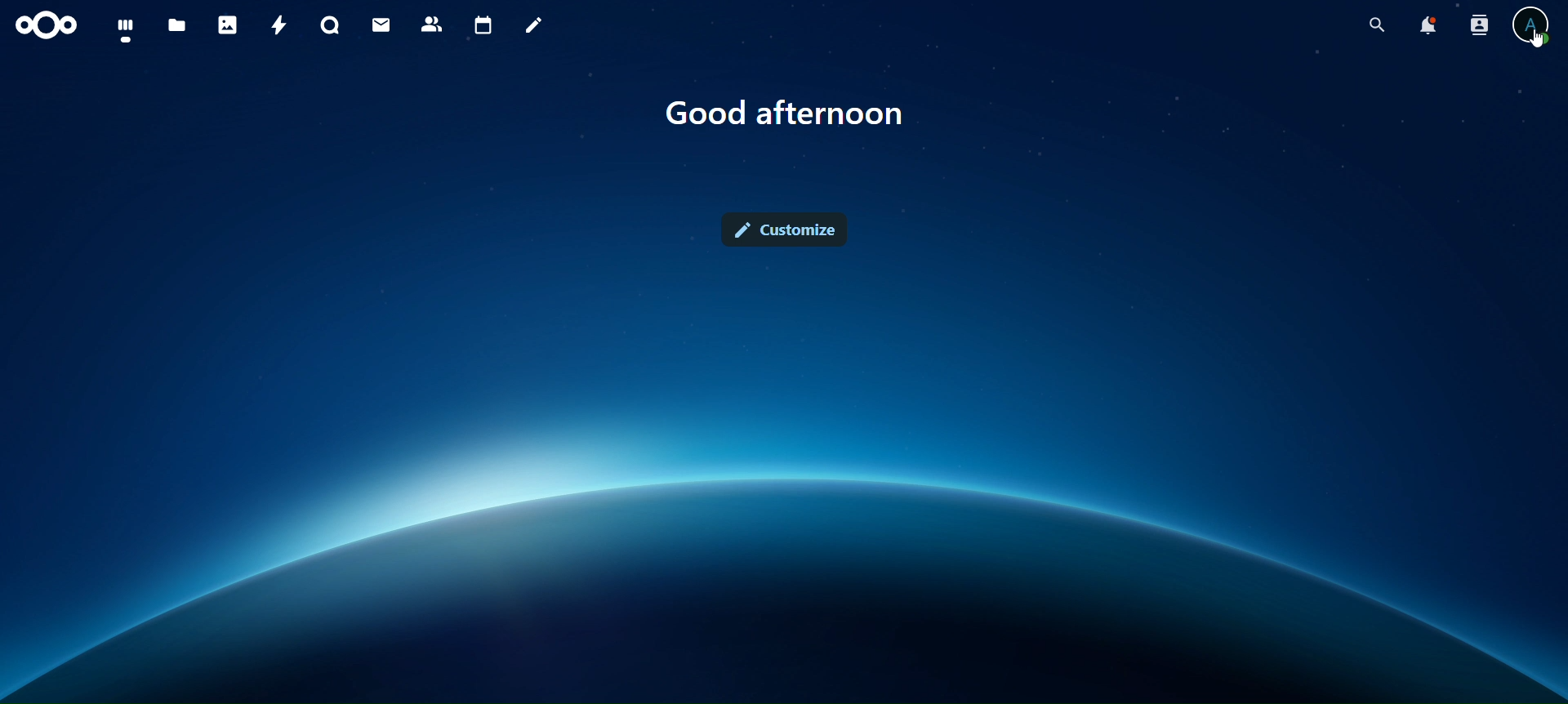 The width and height of the screenshot is (1568, 704). What do you see at coordinates (483, 25) in the screenshot?
I see `calendar` at bounding box center [483, 25].